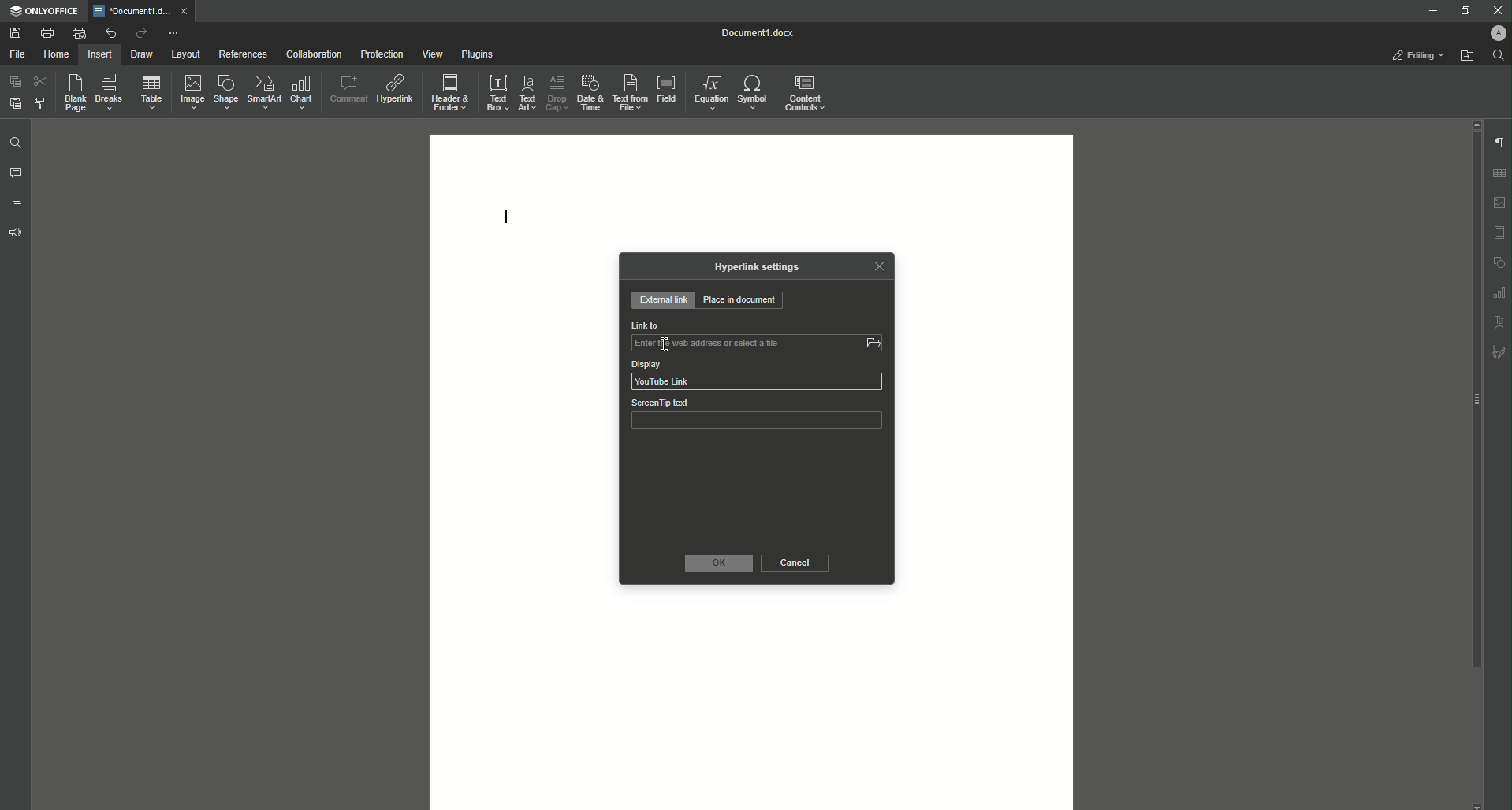 This screenshot has height=810, width=1512. What do you see at coordinates (799, 563) in the screenshot?
I see `Cancel` at bounding box center [799, 563].